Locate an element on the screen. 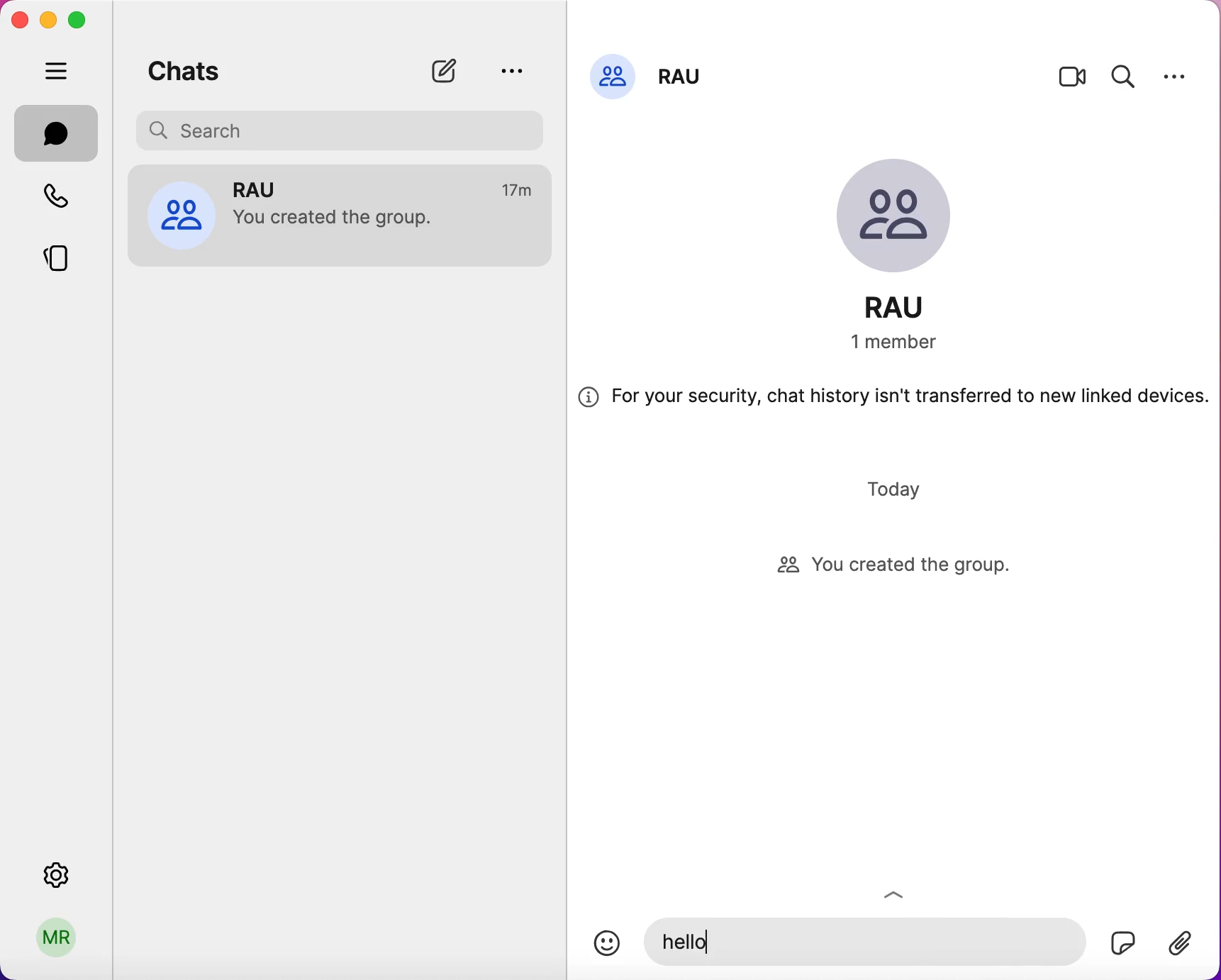 This screenshot has height=980, width=1221. calls is located at coordinates (65, 199).